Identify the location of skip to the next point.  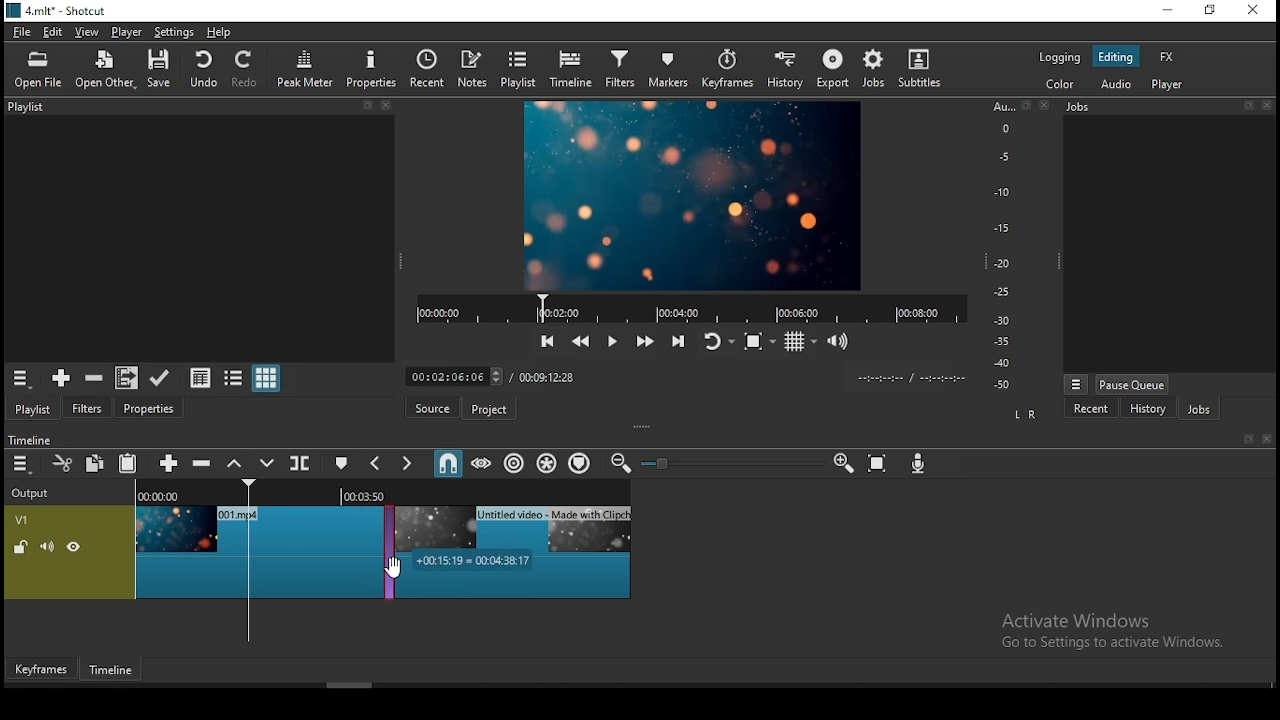
(679, 342).